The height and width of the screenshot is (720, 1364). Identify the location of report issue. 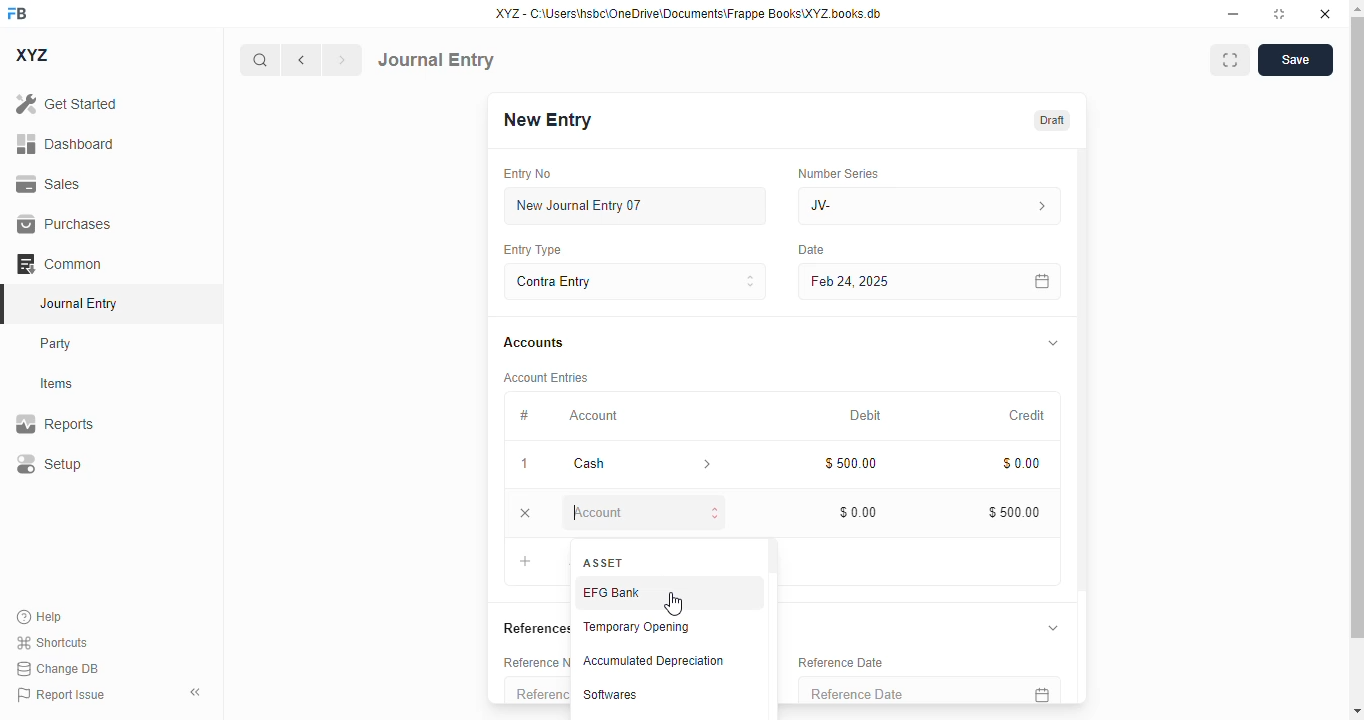
(61, 694).